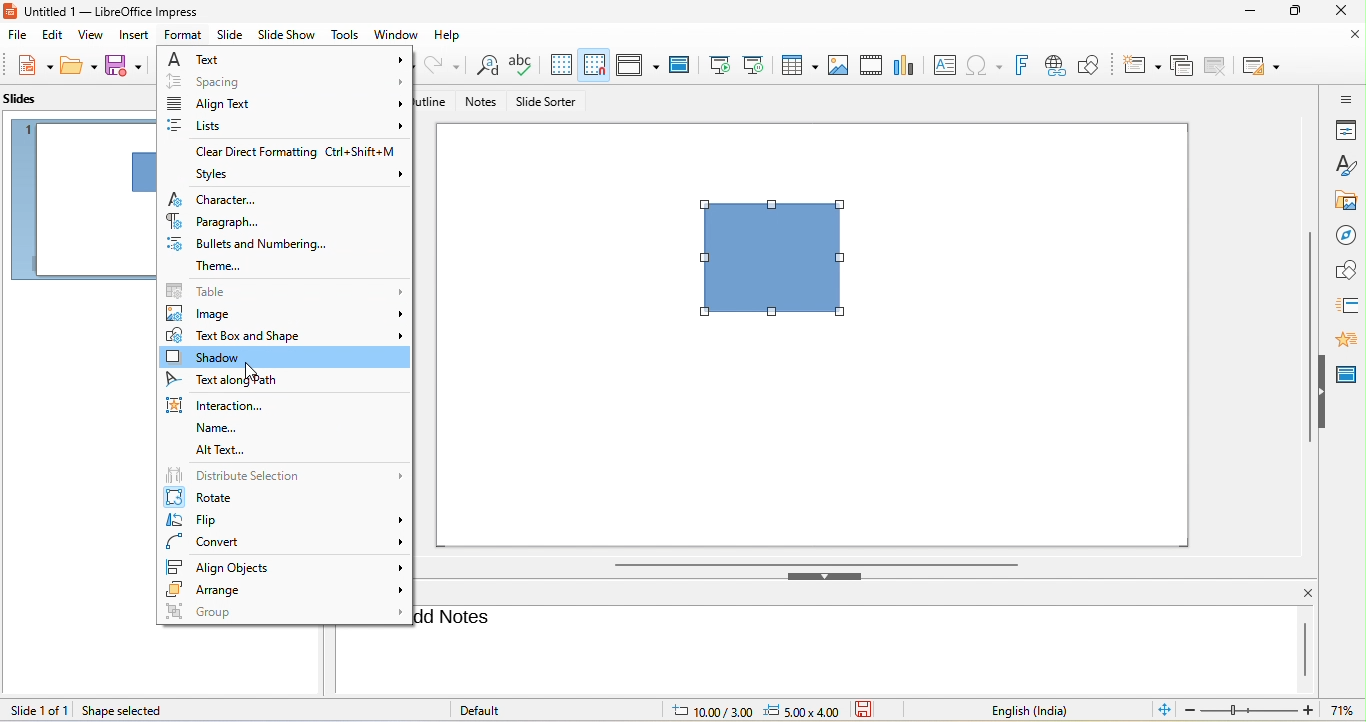  I want to click on sidebar setting, so click(1346, 99).